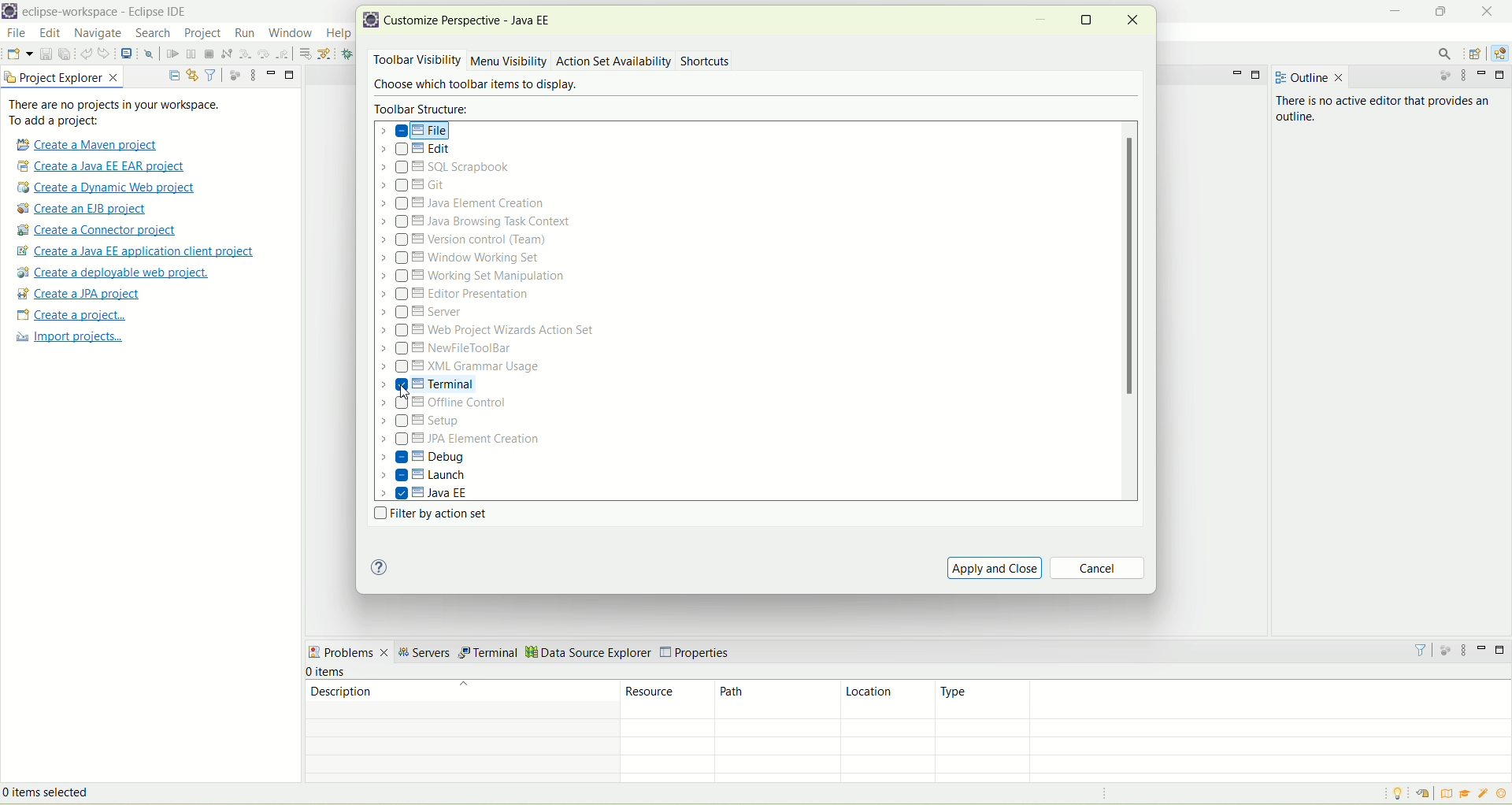  Describe the element at coordinates (669, 699) in the screenshot. I see `resource` at that location.